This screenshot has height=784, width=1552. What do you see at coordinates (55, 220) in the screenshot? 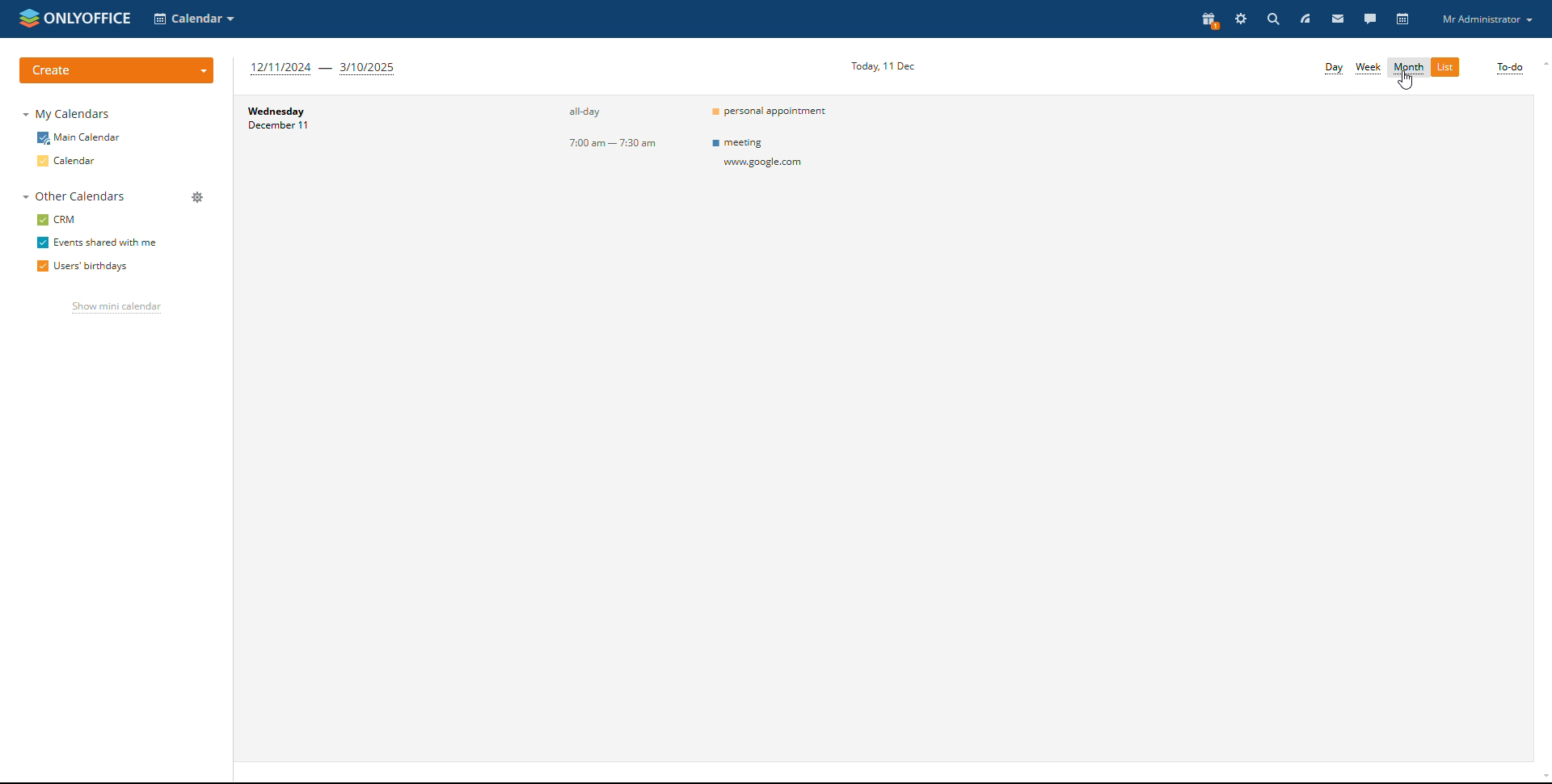
I see `crm` at bounding box center [55, 220].